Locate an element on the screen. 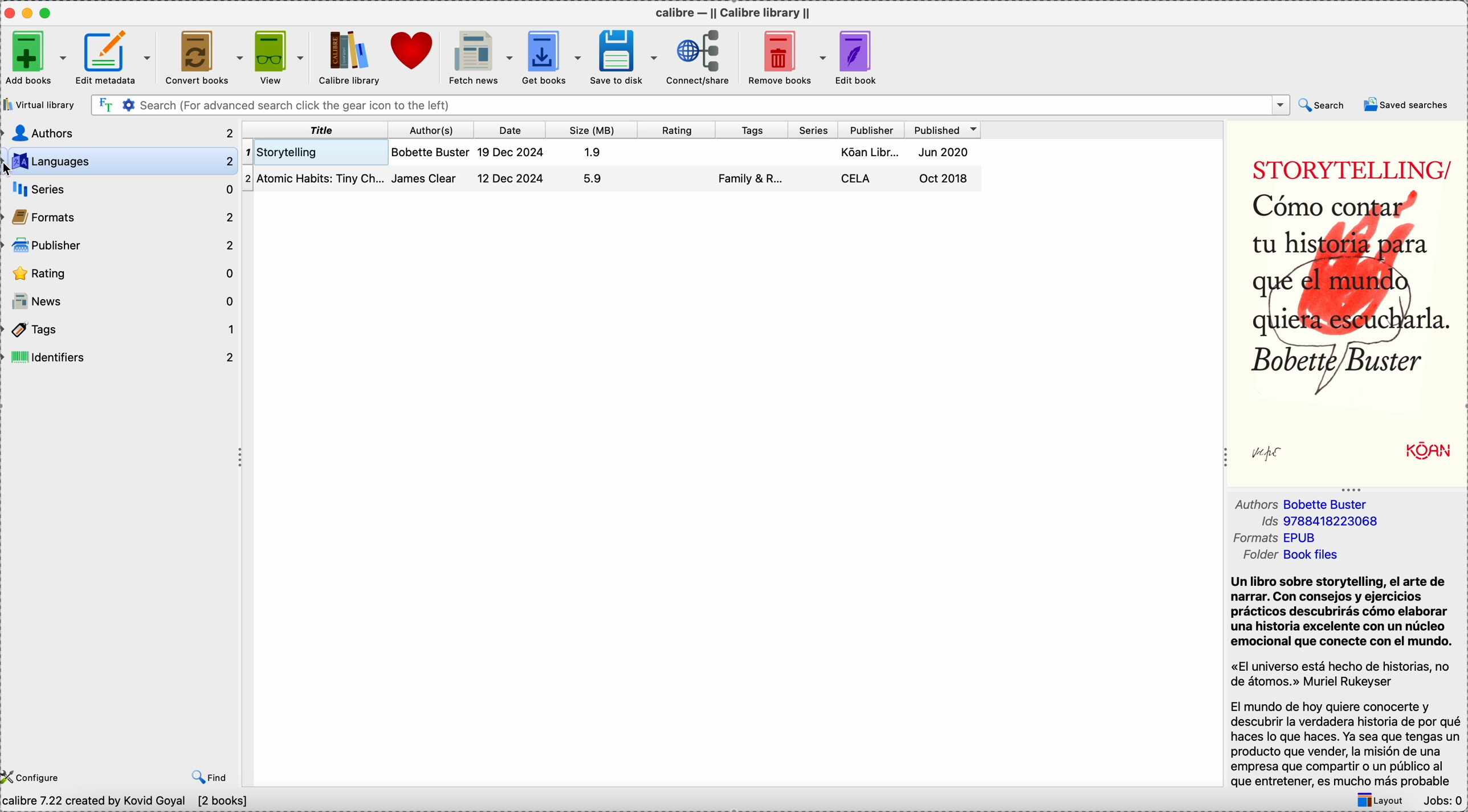 This screenshot has height=812, width=1468. minimize Calibre is located at coordinates (28, 13).